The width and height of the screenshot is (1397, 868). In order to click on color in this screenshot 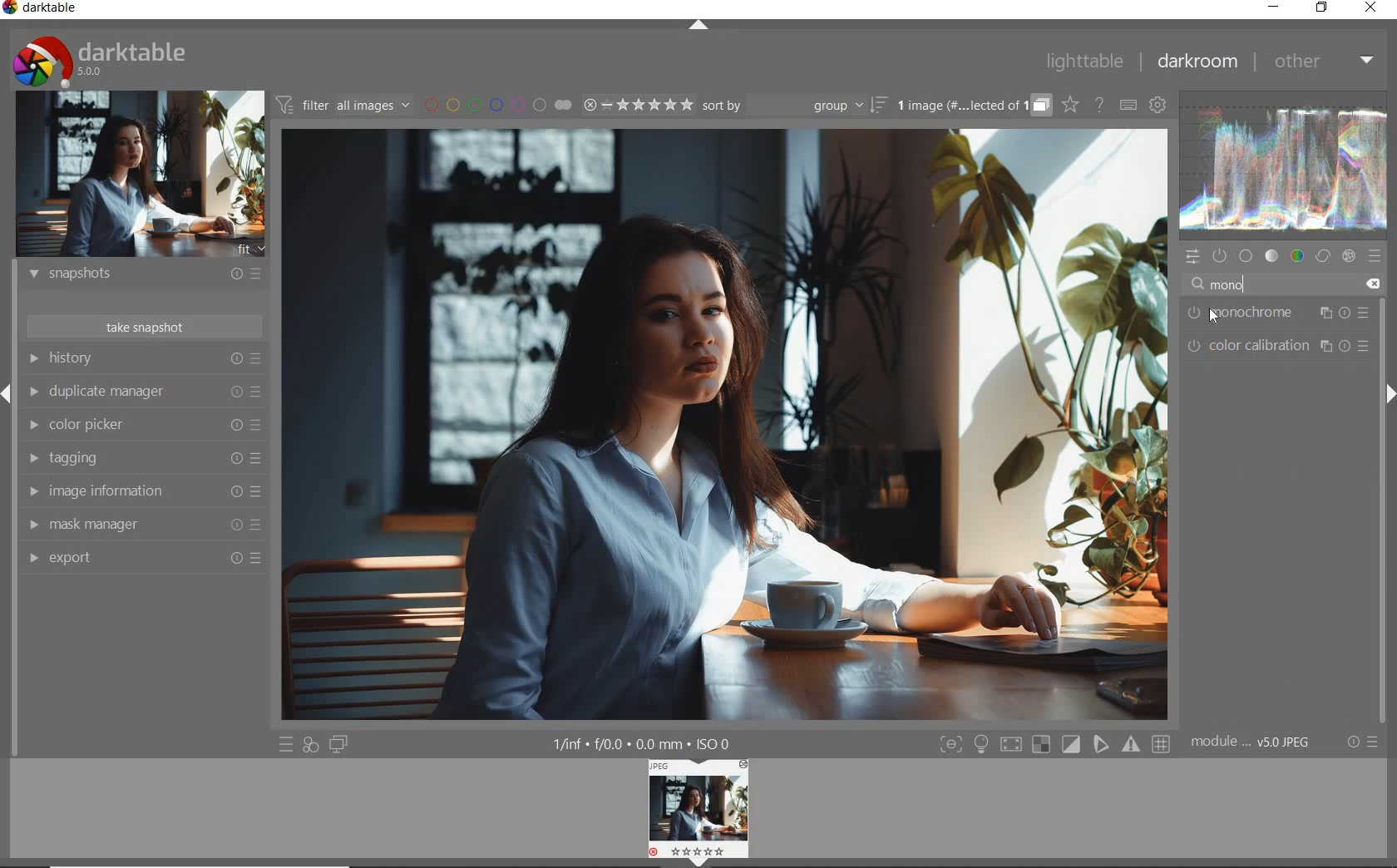, I will do `click(1298, 255)`.